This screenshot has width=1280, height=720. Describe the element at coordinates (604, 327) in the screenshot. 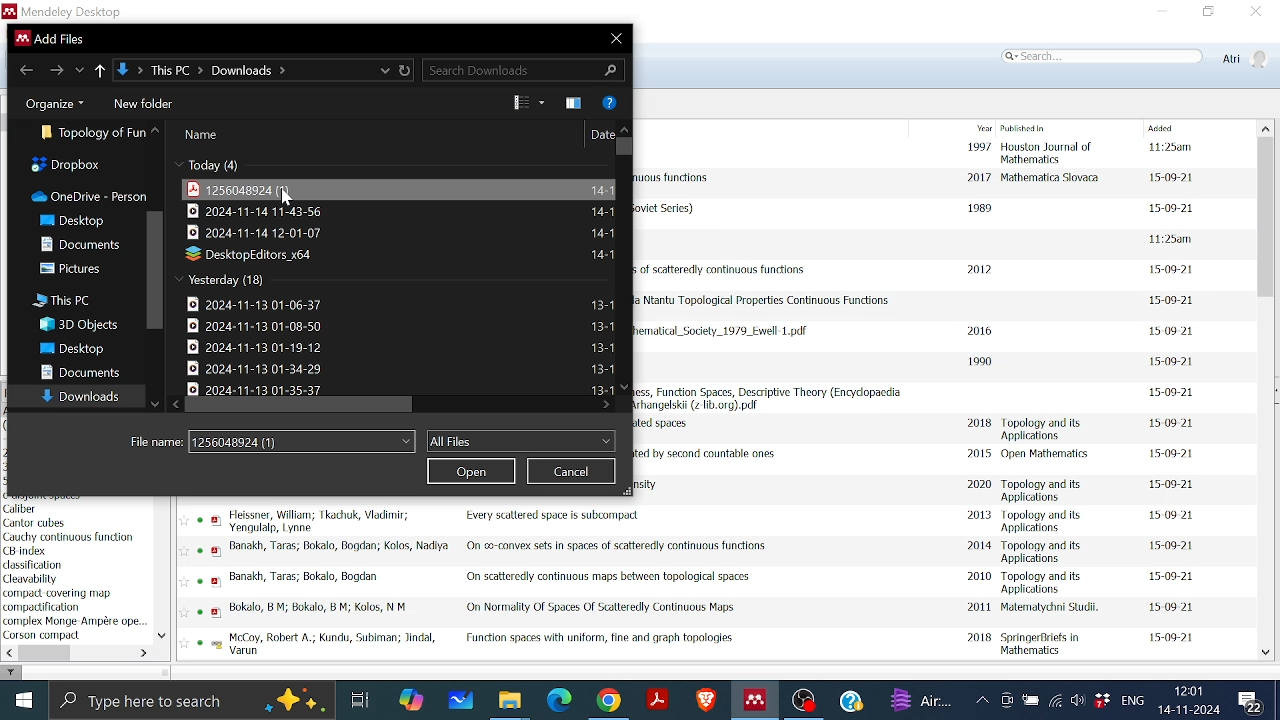

I see `File` at that location.